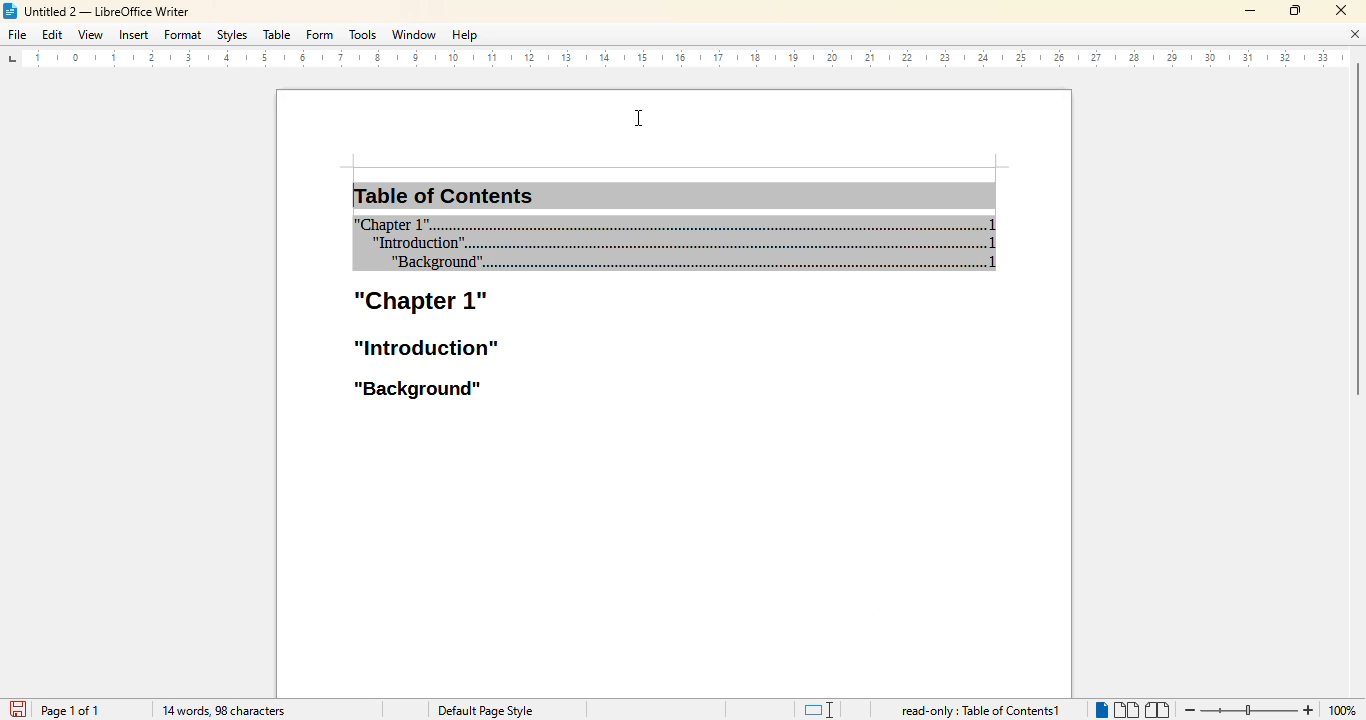 The height and width of the screenshot is (720, 1366). Describe the element at coordinates (1354, 34) in the screenshot. I see `close document` at that location.